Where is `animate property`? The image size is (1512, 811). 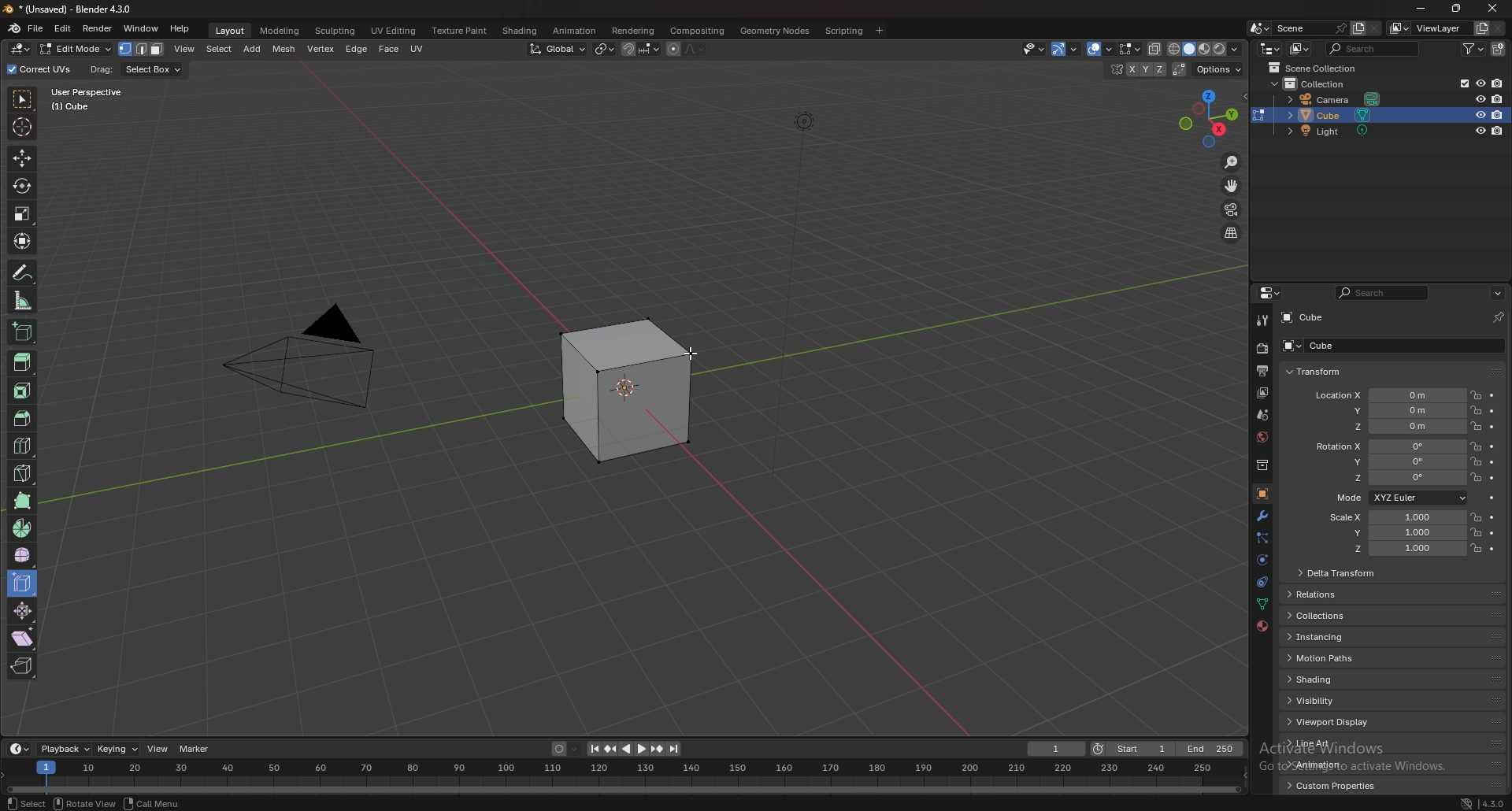 animate property is located at coordinates (1492, 549).